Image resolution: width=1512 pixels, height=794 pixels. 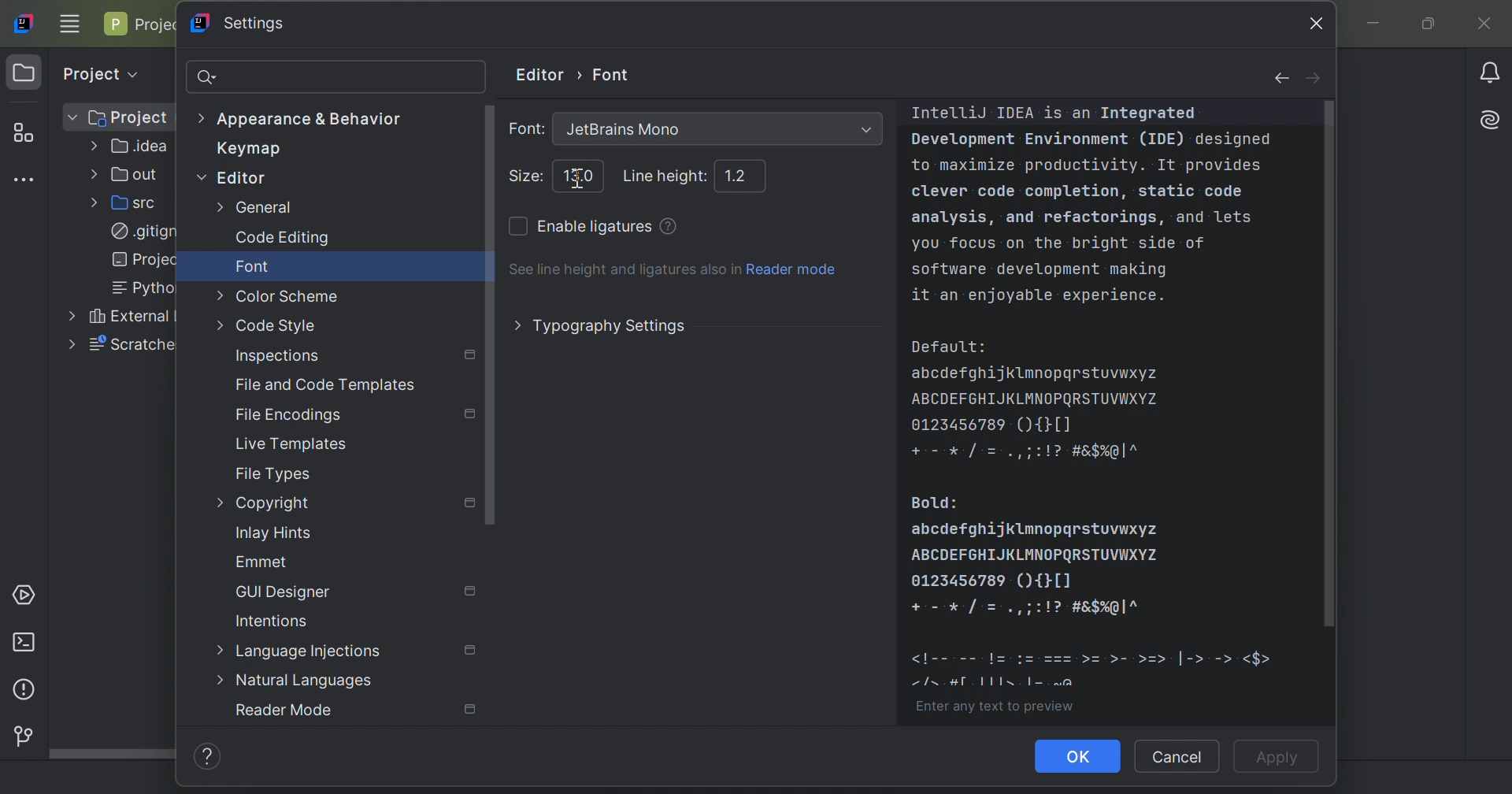 I want to click on Inlay hints, so click(x=275, y=532).